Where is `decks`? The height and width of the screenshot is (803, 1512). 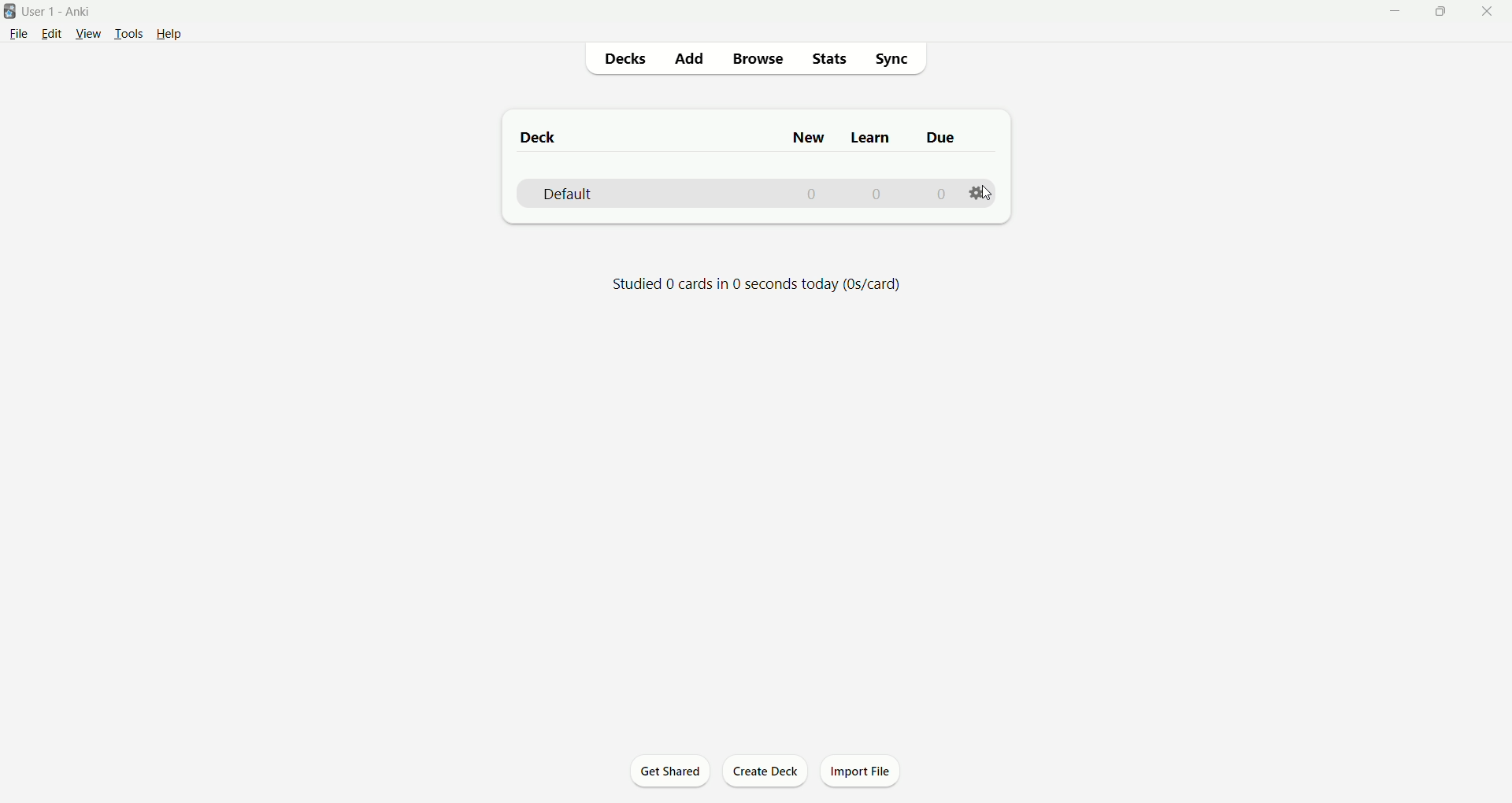 decks is located at coordinates (621, 61).